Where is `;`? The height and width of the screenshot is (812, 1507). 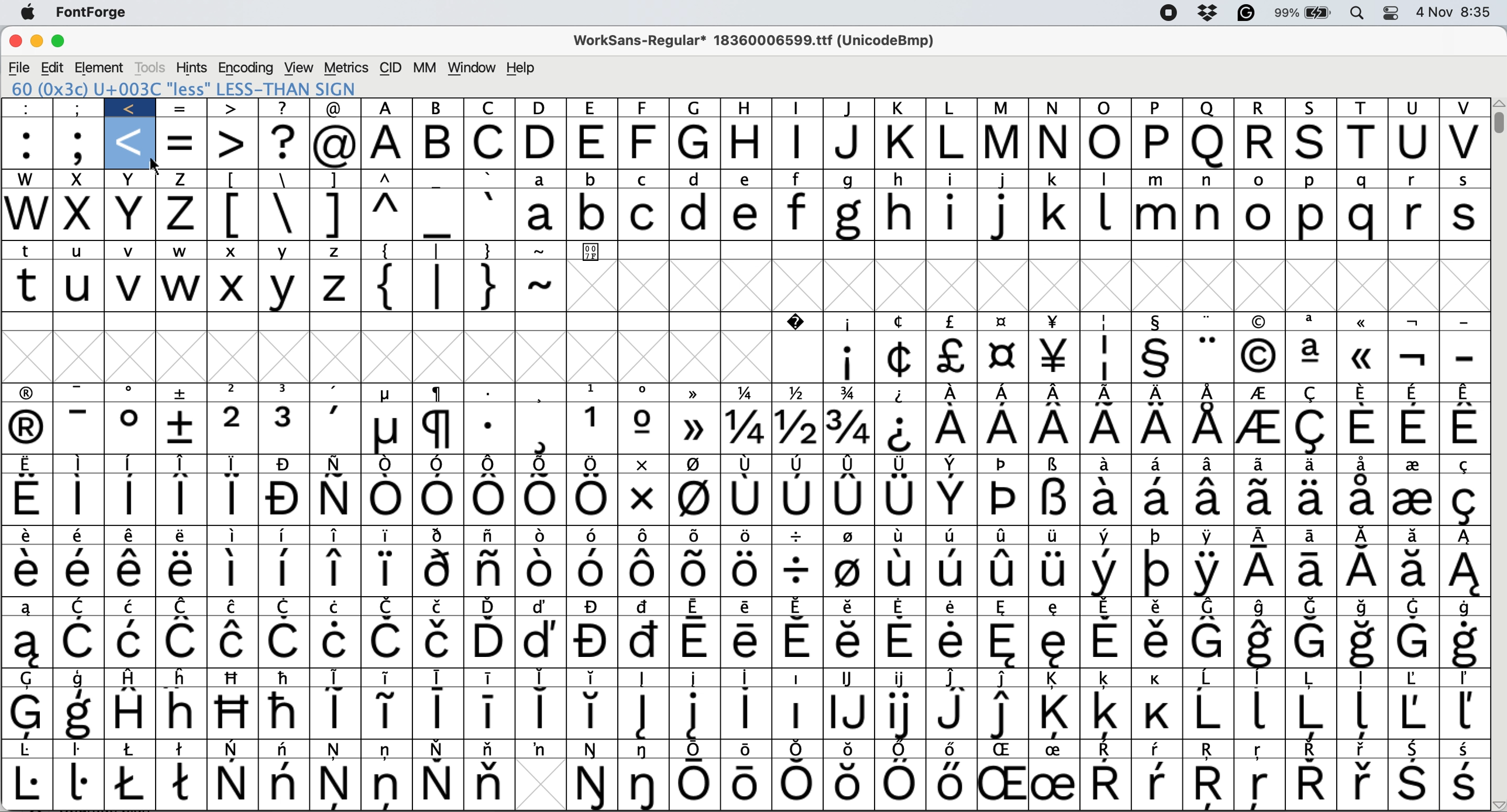 ; is located at coordinates (79, 144).